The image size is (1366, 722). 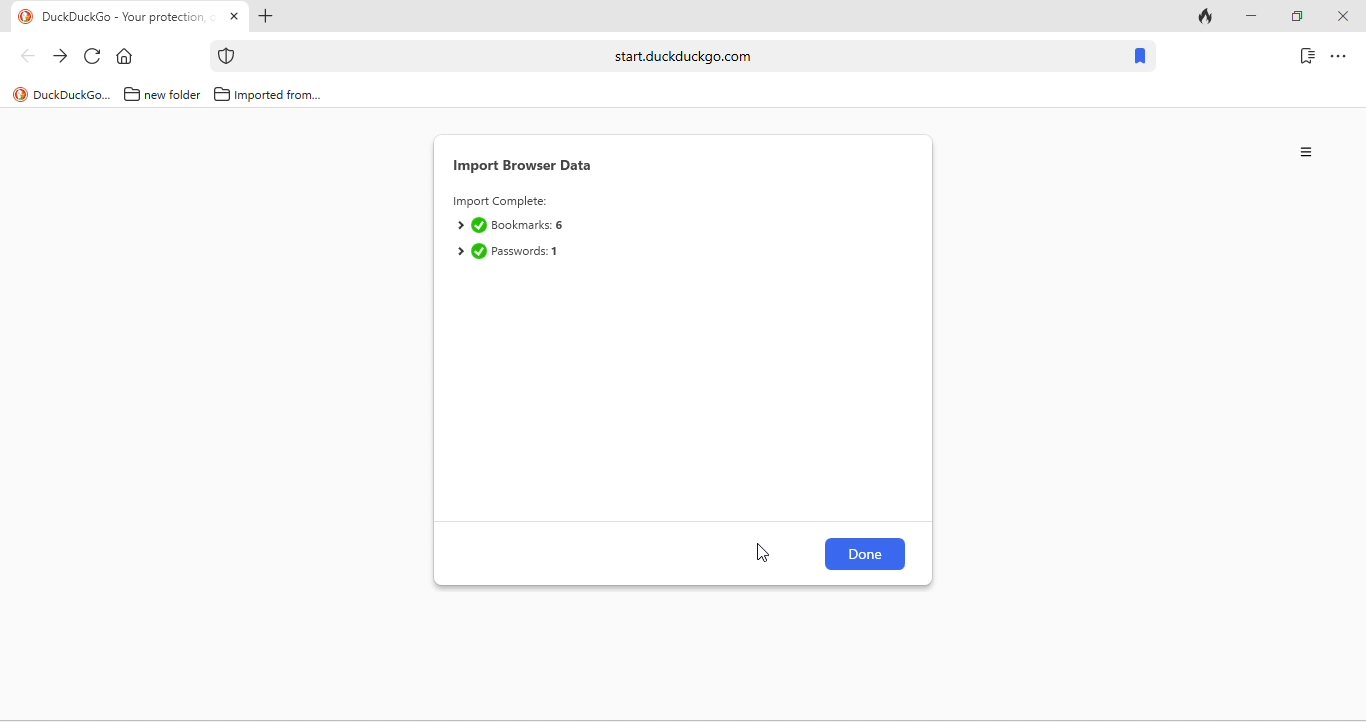 I want to click on new folder, so click(x=164, y=93).